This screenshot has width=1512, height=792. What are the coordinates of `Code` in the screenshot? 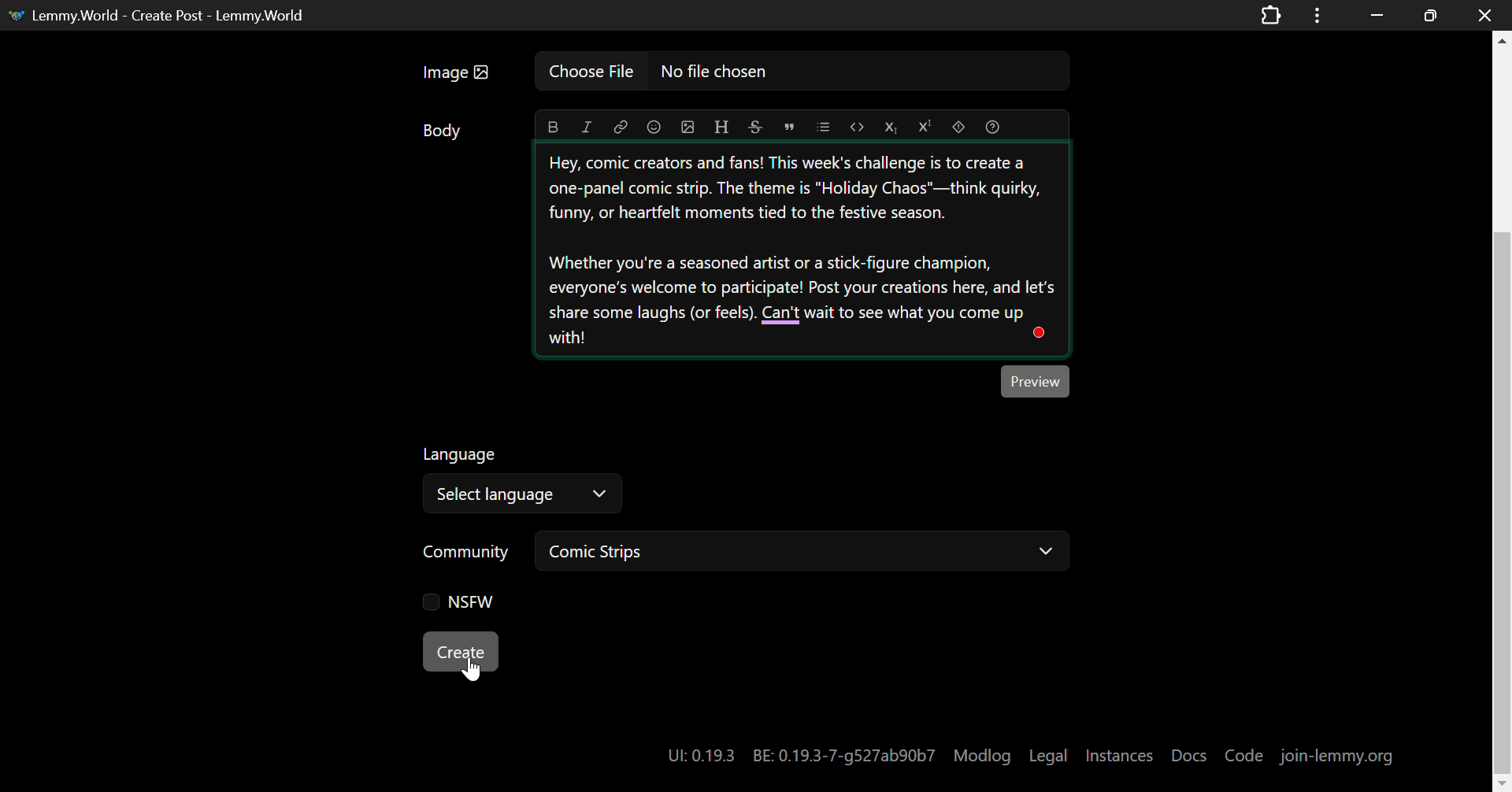 It's located at (855, 127).